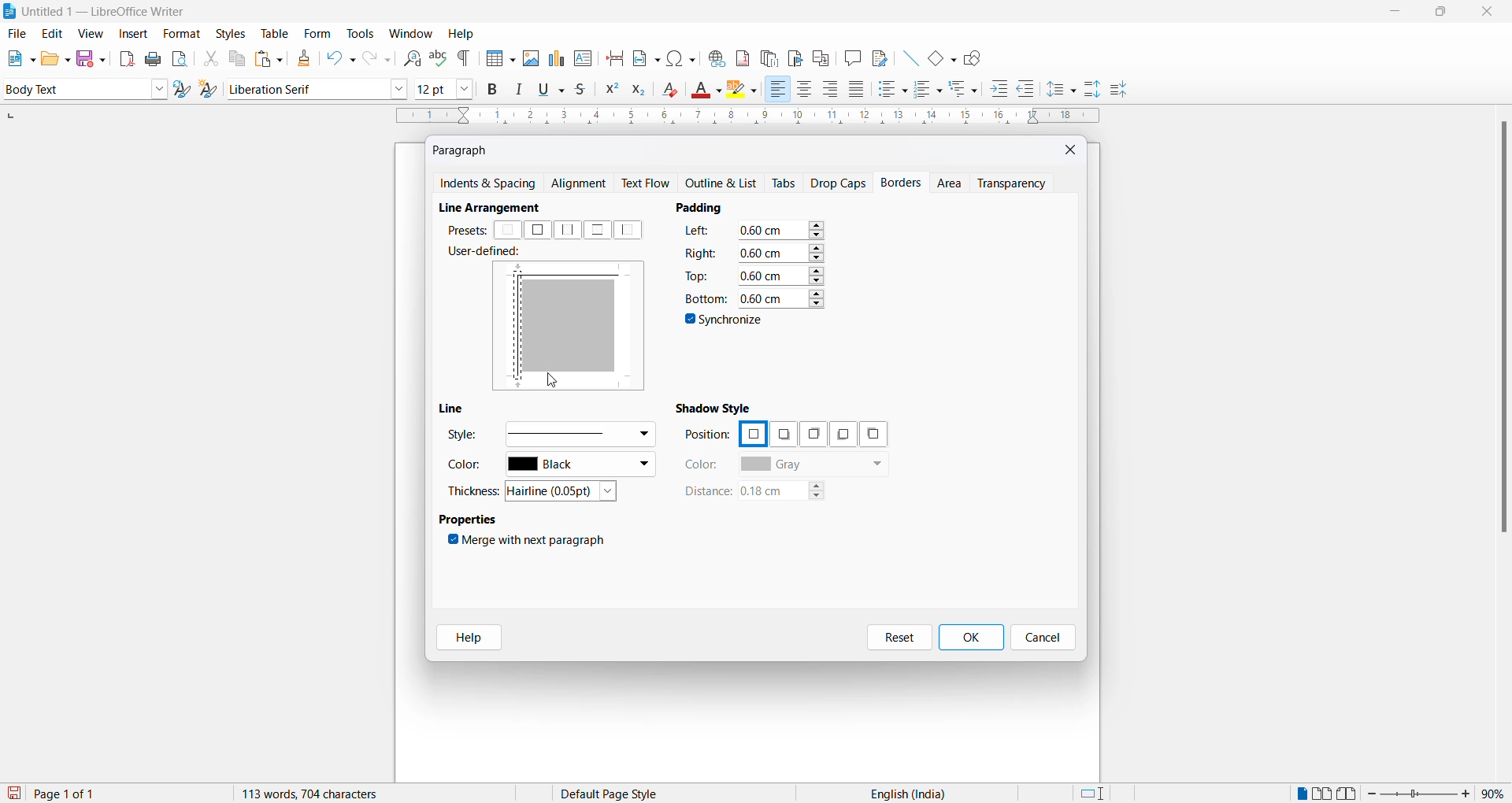 The height and width of the screenshot is (803, 1512). Describe the element at coordinates (580, 466) in the screenshot. I see `color options` at that location.